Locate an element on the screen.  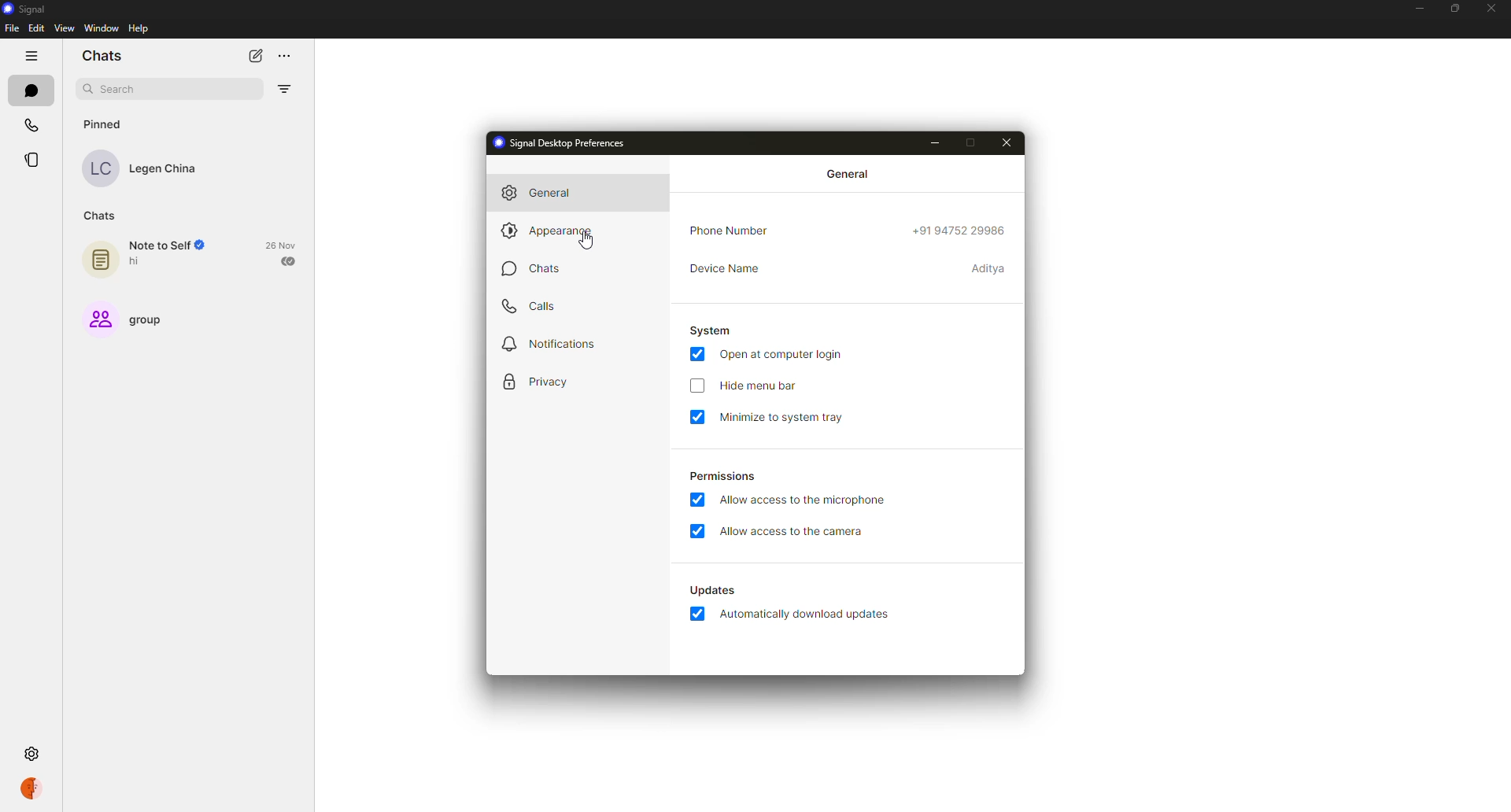
chats is located at coordinates (31, 90).